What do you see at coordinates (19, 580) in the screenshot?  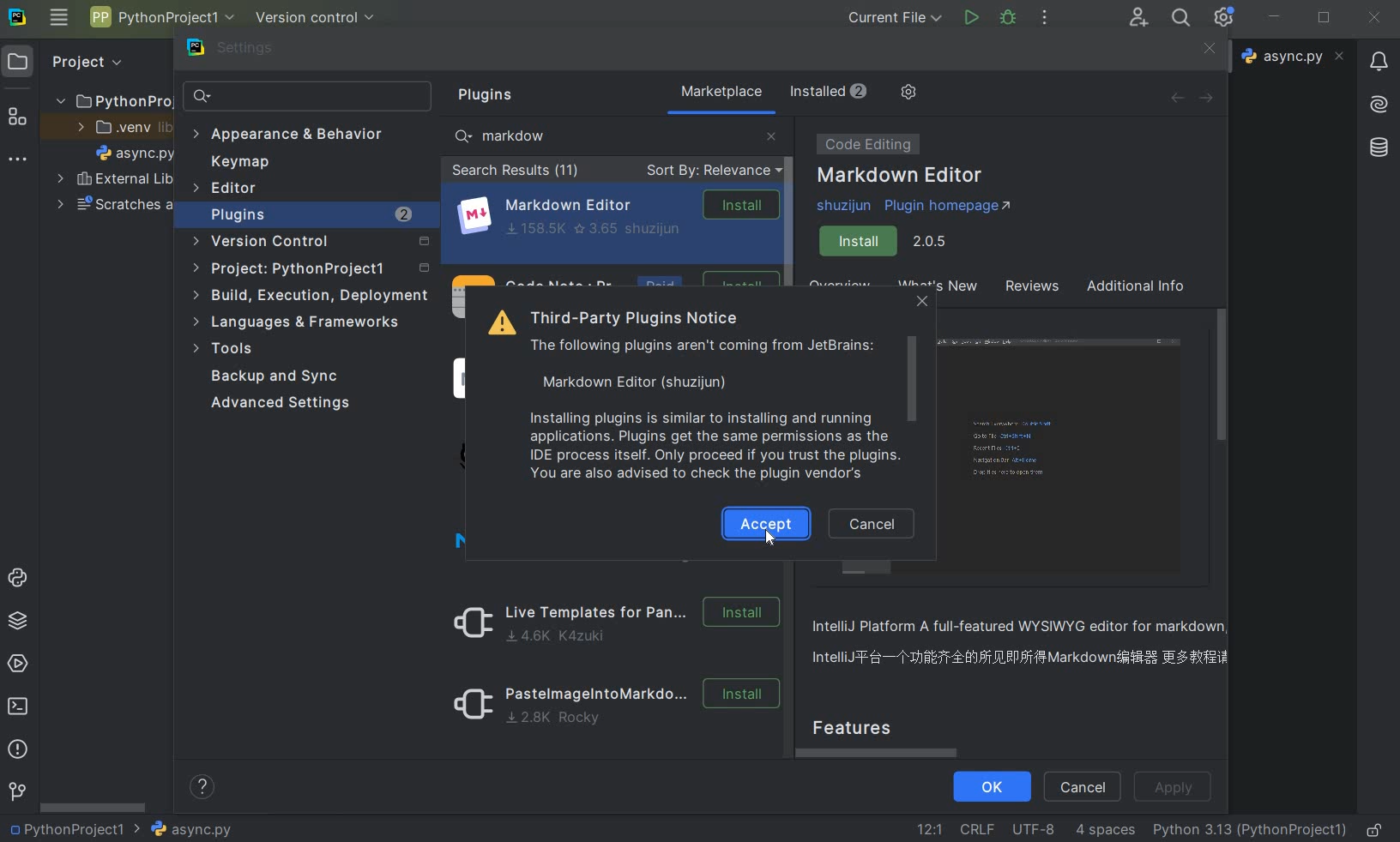 I see `python console` at bounding box center [19, 580].